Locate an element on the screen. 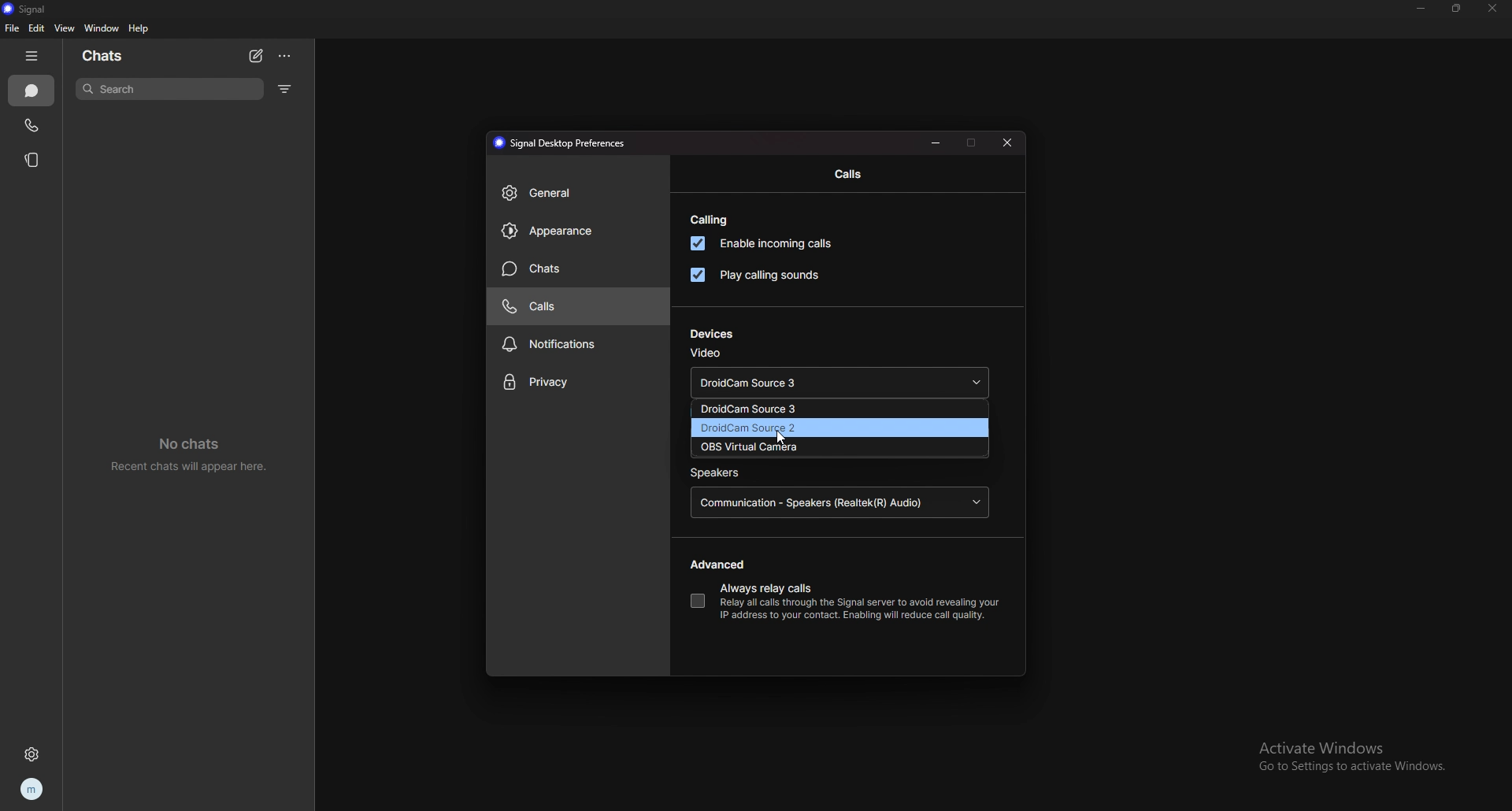 The height and width of the screenshot is (811, 1512). hide tab is located at coordinates (35, 56).